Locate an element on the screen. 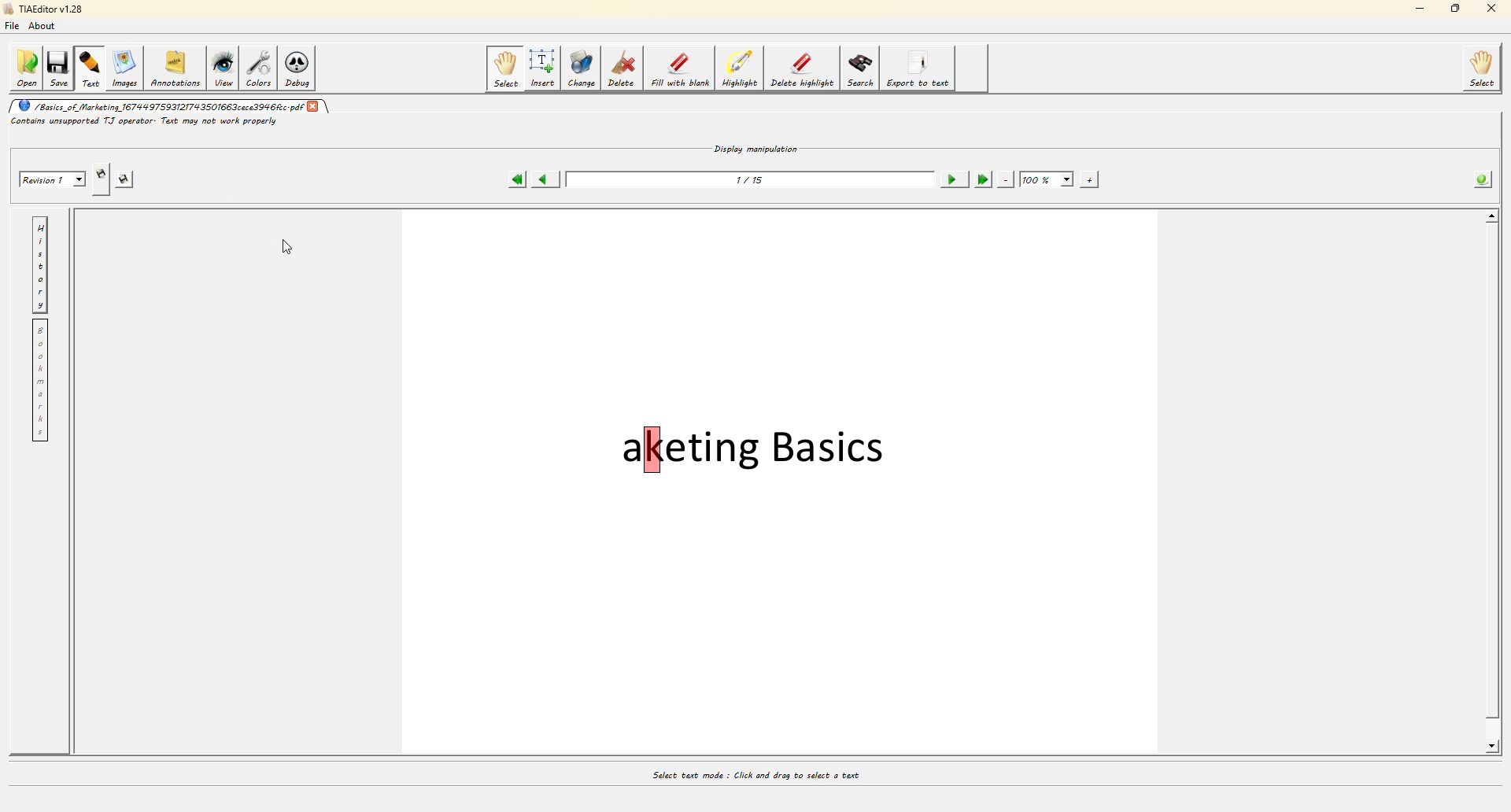 The width and height of the screenshot is (1511, 812). close is located at coordinates (314, 104).